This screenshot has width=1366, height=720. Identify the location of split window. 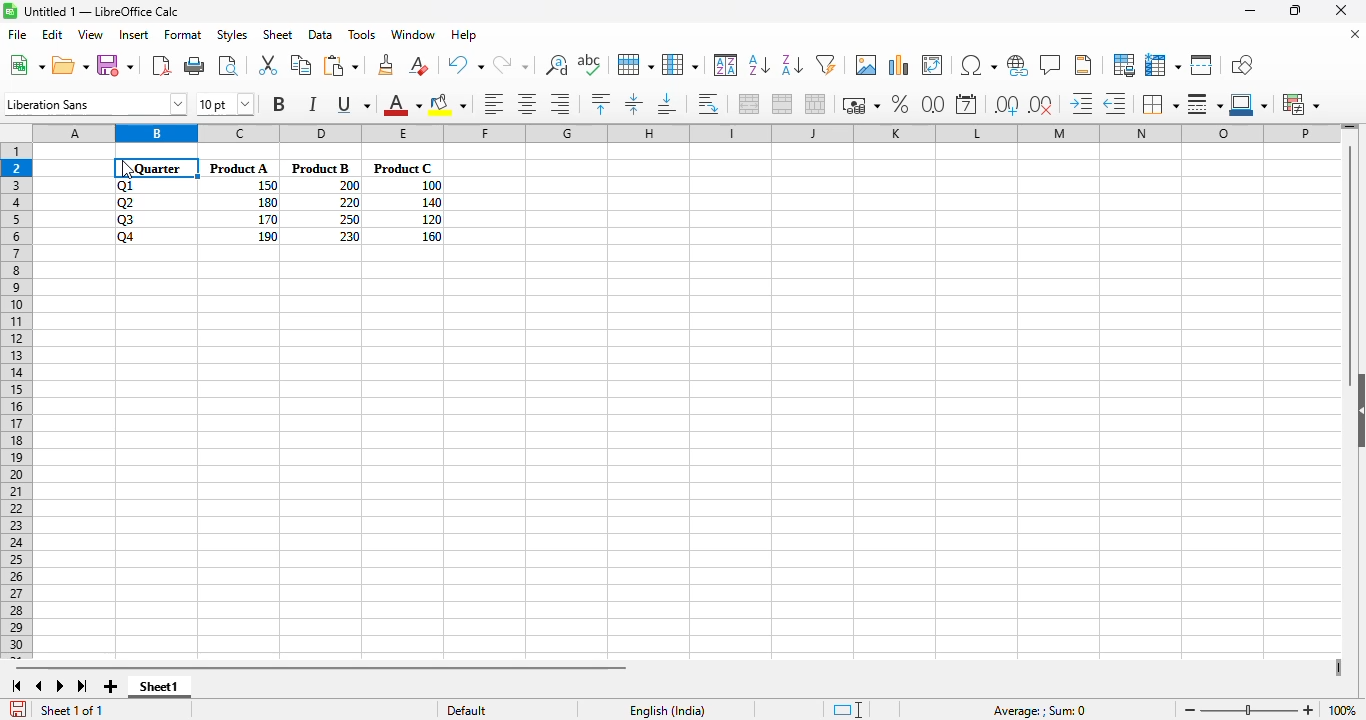
(1202, 65).